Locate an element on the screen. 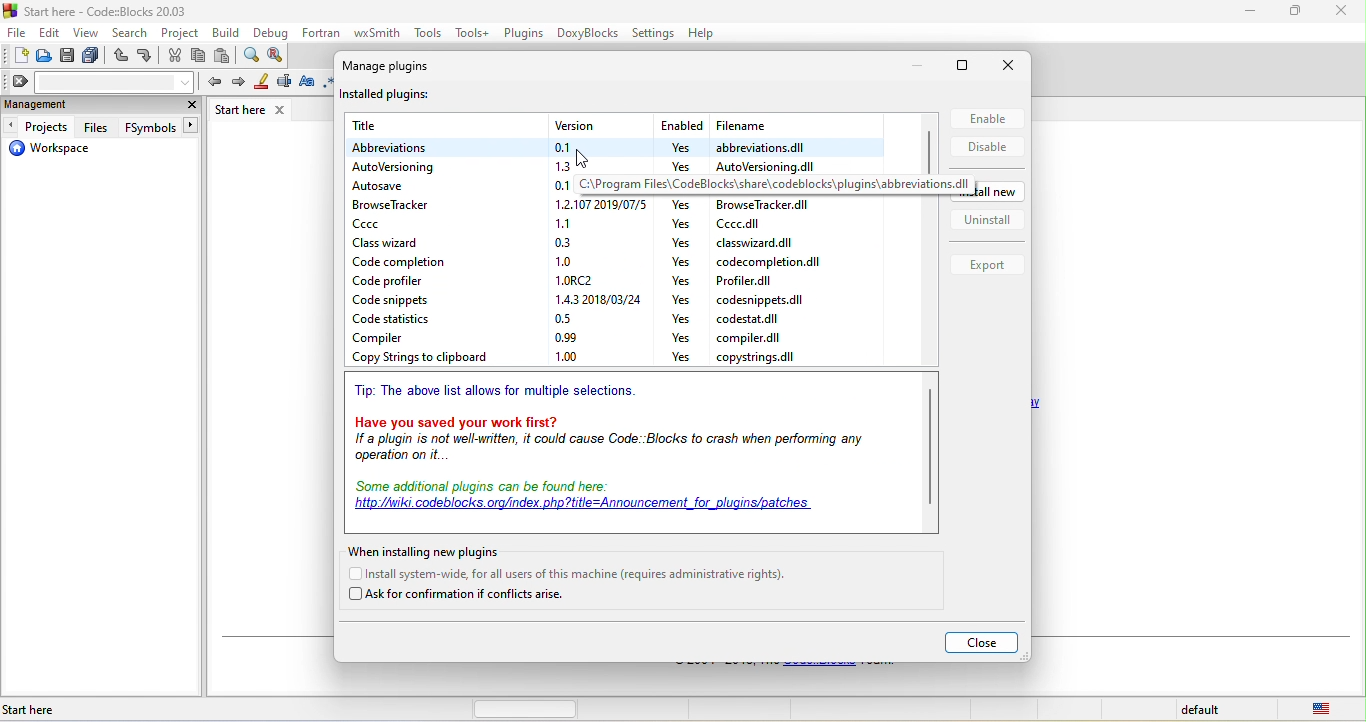 This screenshot has width=1366, height=722. yes is located at coordinates (682, 222).